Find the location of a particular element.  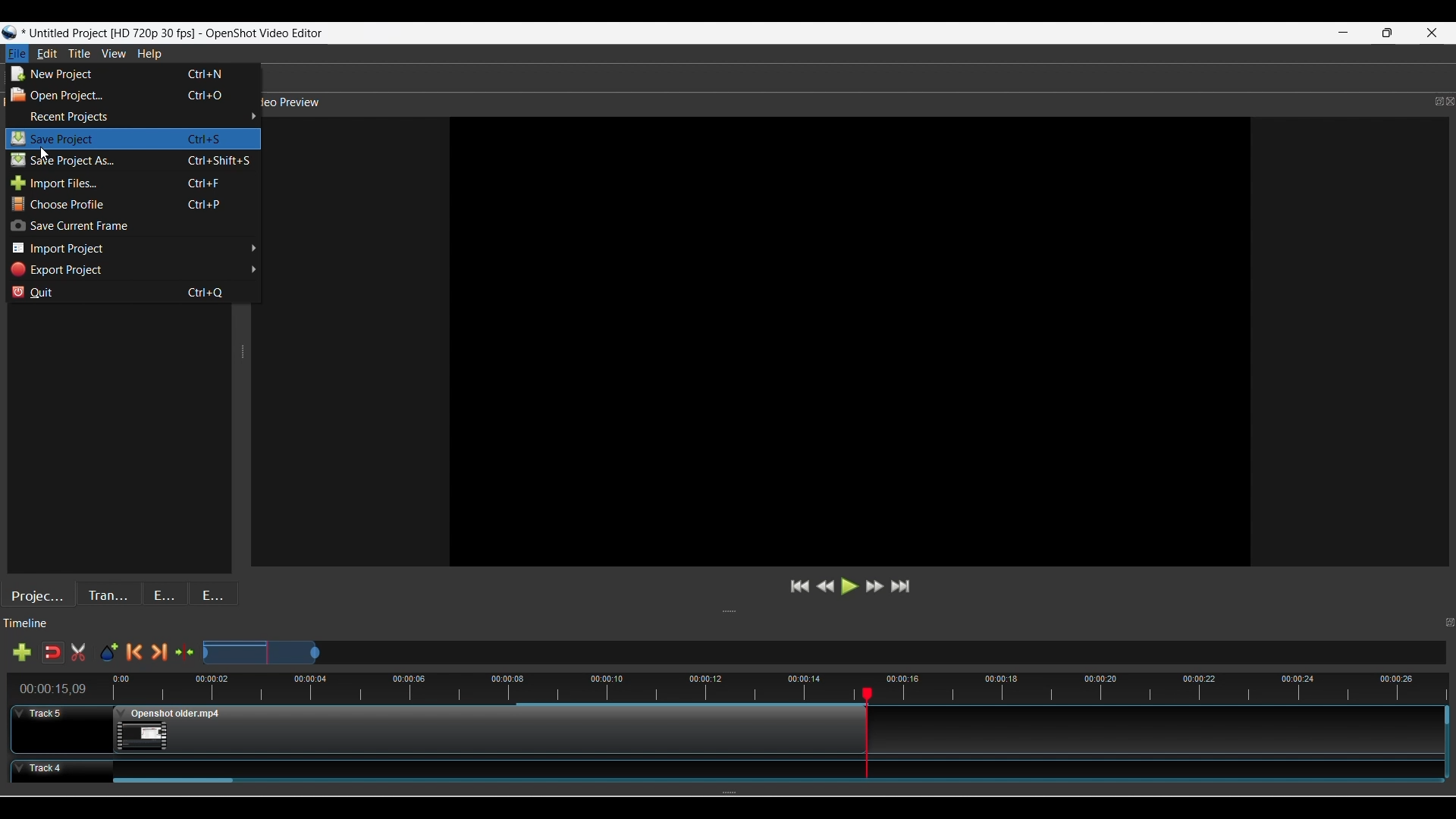

Software logo is located at coordinates (10, 33).